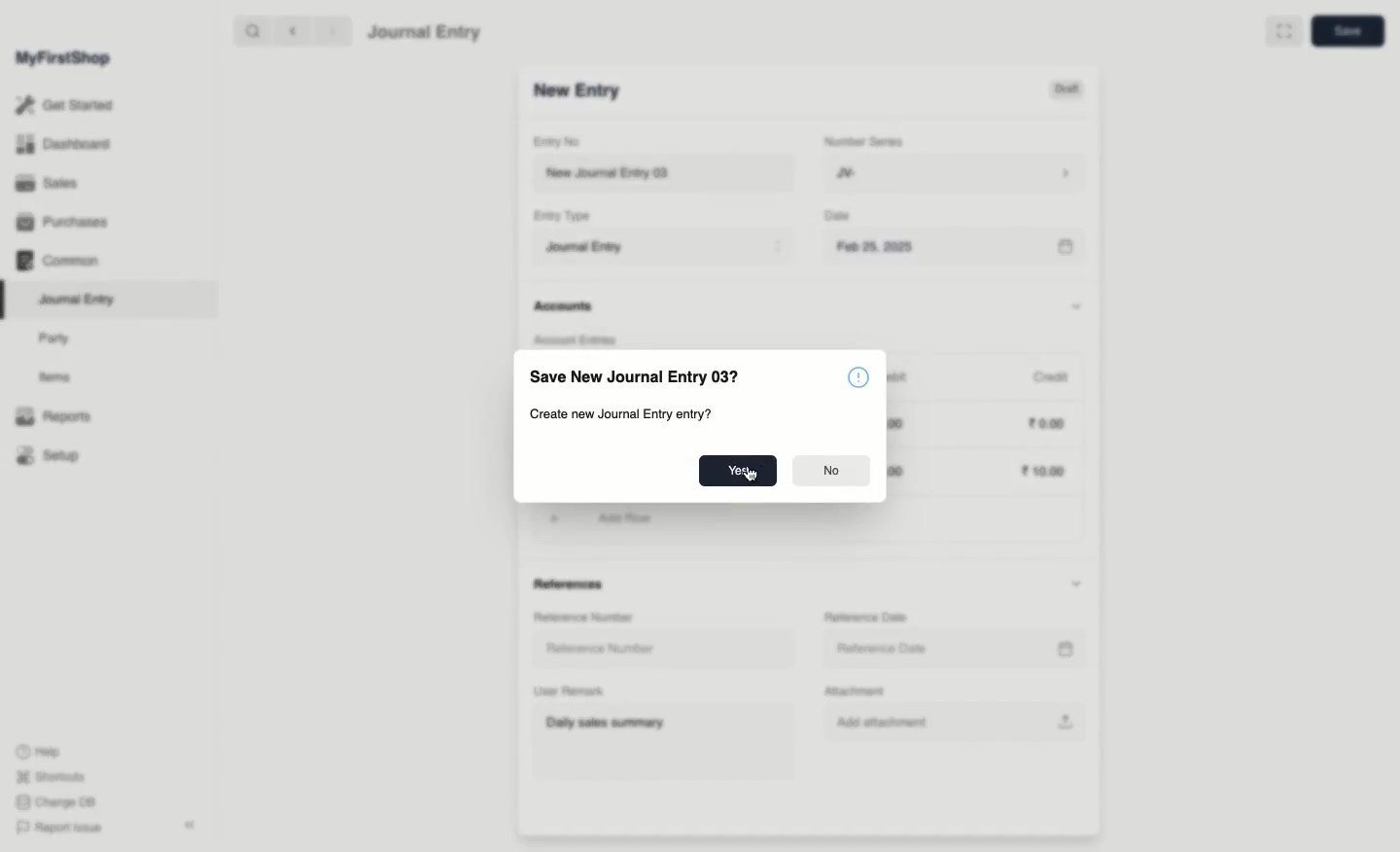 The height and width of the screenshot is (852, 1400). I want to click on cursor, so click(754, 479).